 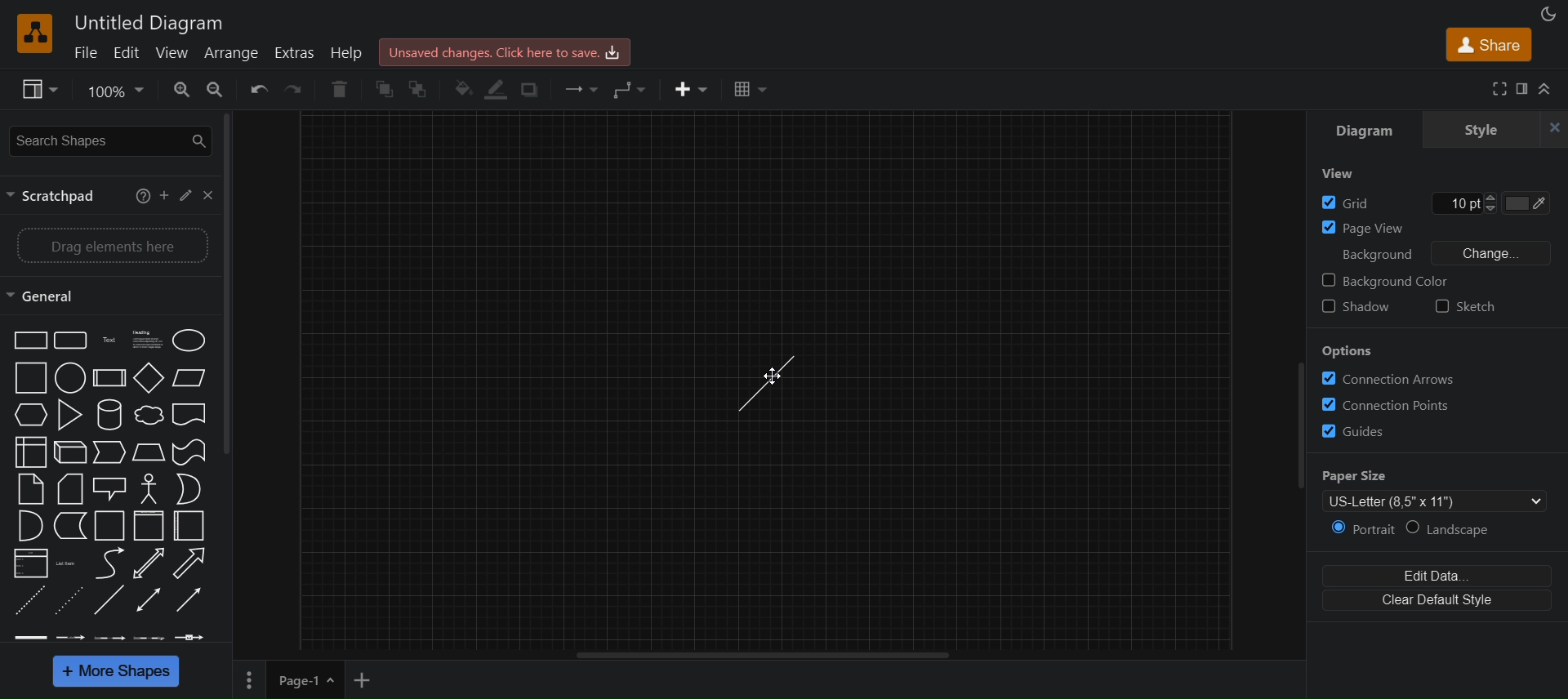 I want to click on view, so click(x=176, y=52).